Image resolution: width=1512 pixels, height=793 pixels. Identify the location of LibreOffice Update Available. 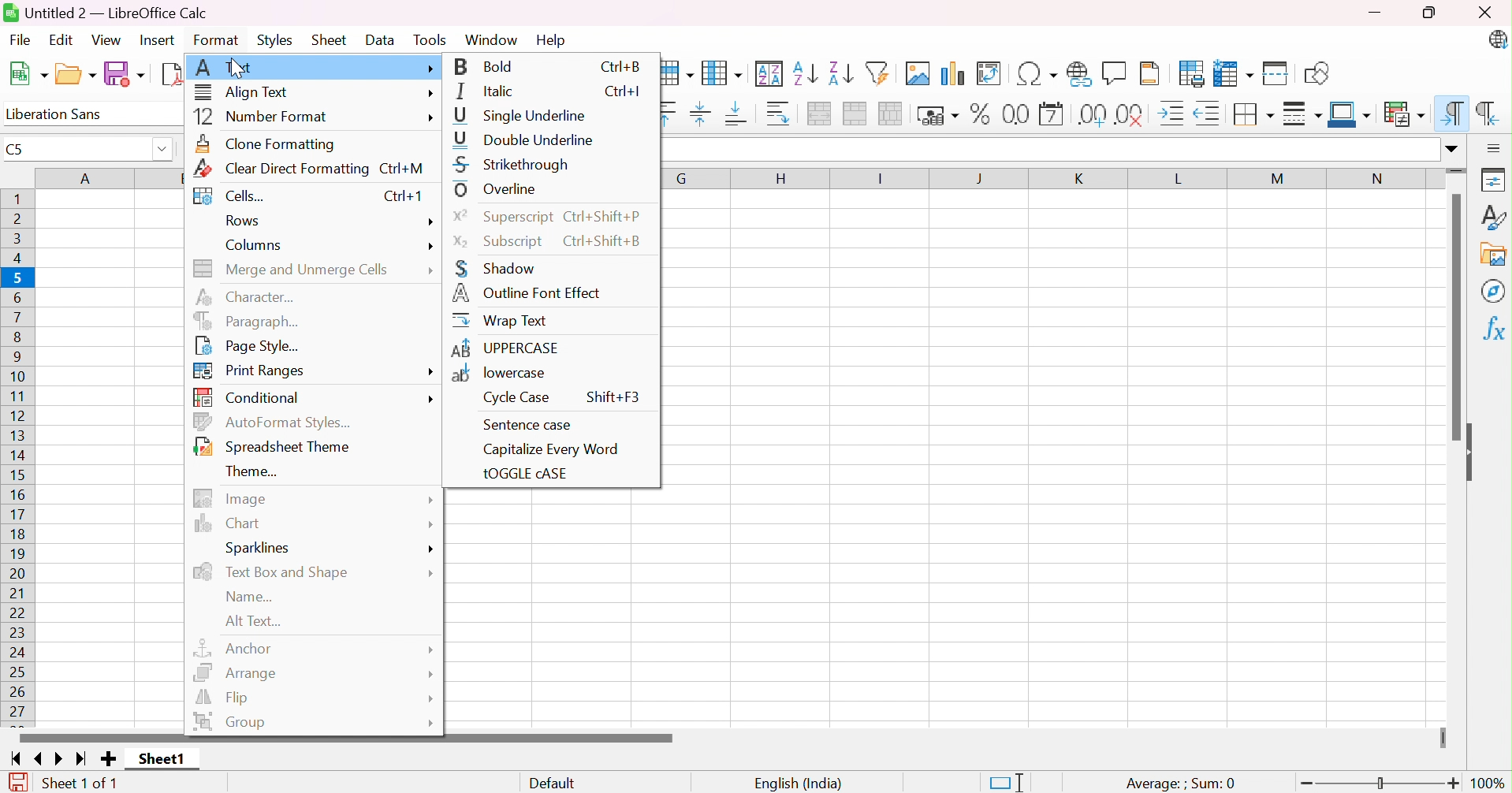
(1499, 39).